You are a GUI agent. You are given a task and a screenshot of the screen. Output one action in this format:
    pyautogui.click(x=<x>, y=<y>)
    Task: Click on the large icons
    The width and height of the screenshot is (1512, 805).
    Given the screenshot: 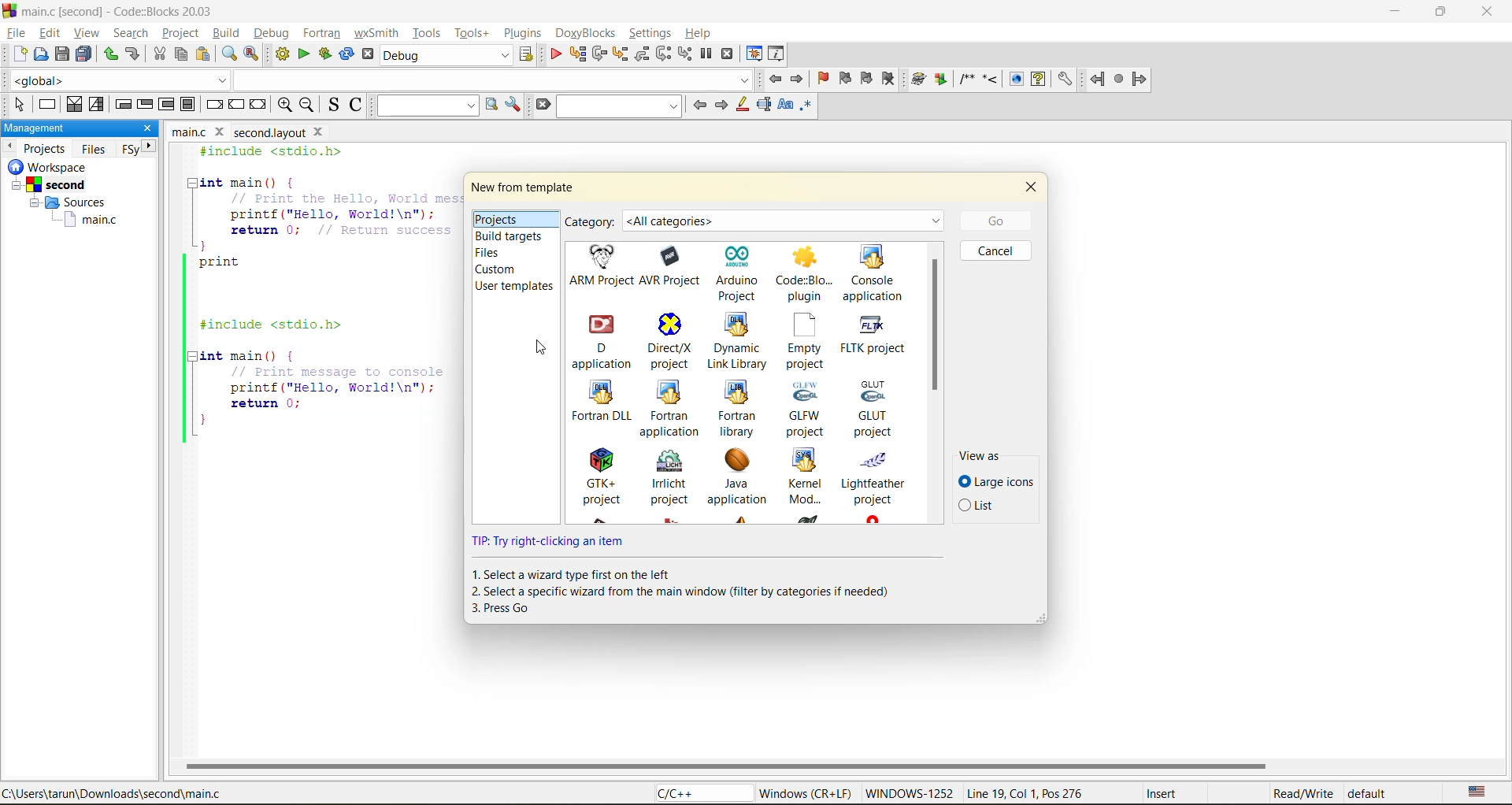 What is the action you would take?
    pyautogui.click(x=997, y=481)
    